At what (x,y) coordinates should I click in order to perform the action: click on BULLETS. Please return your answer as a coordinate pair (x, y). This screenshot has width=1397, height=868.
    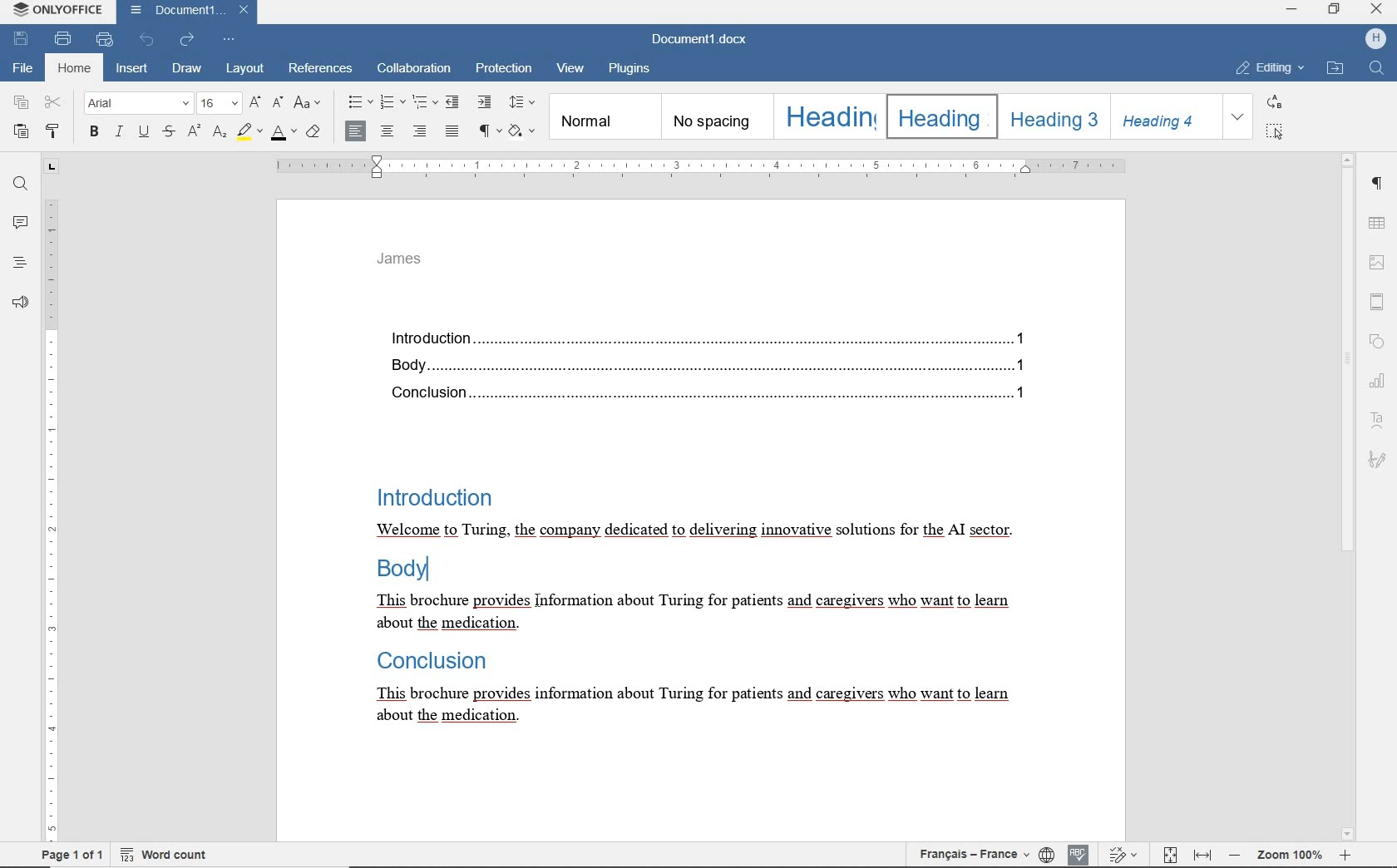
    Looking at the image, I should click on (358, 104).